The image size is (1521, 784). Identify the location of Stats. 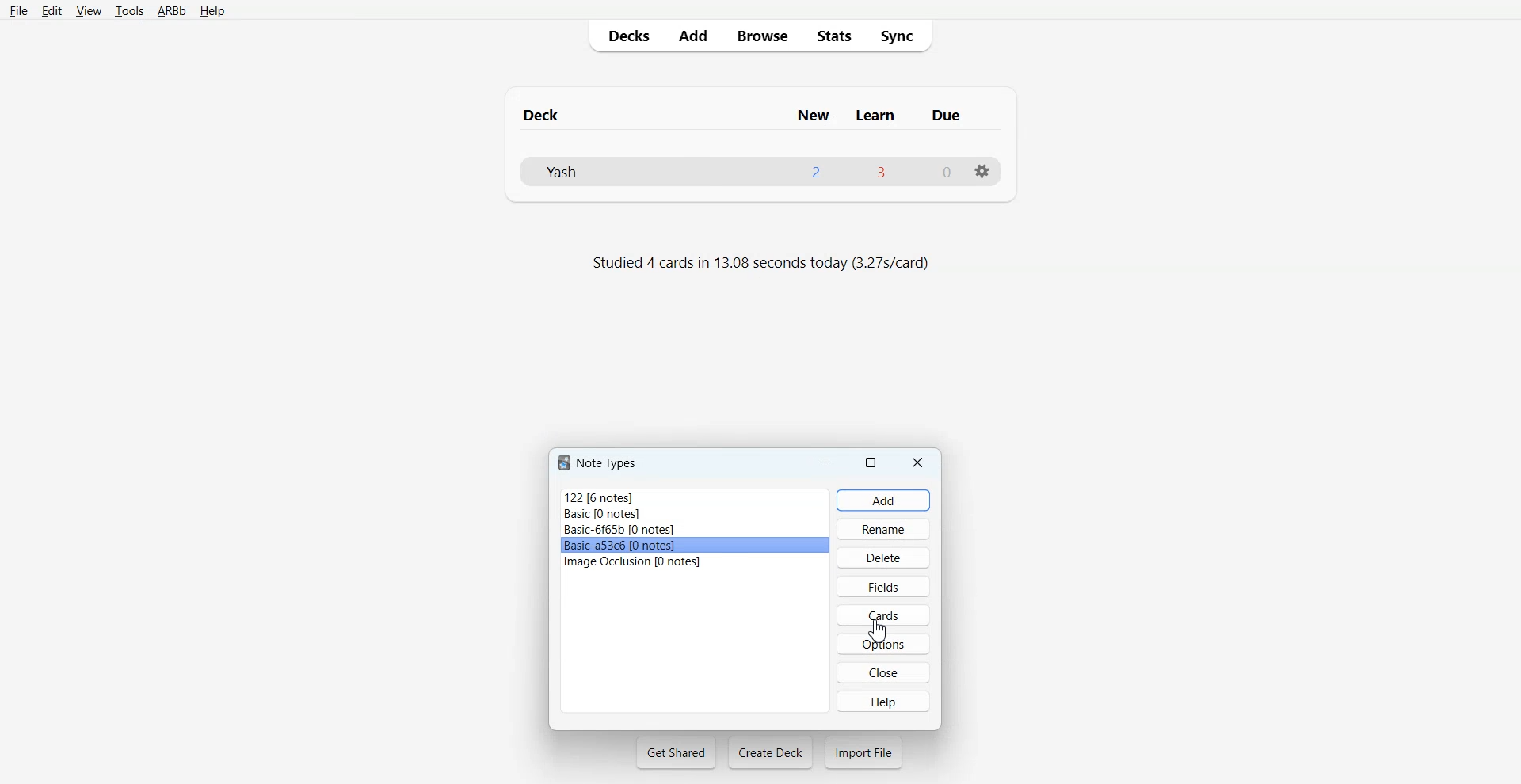
(833, 35).